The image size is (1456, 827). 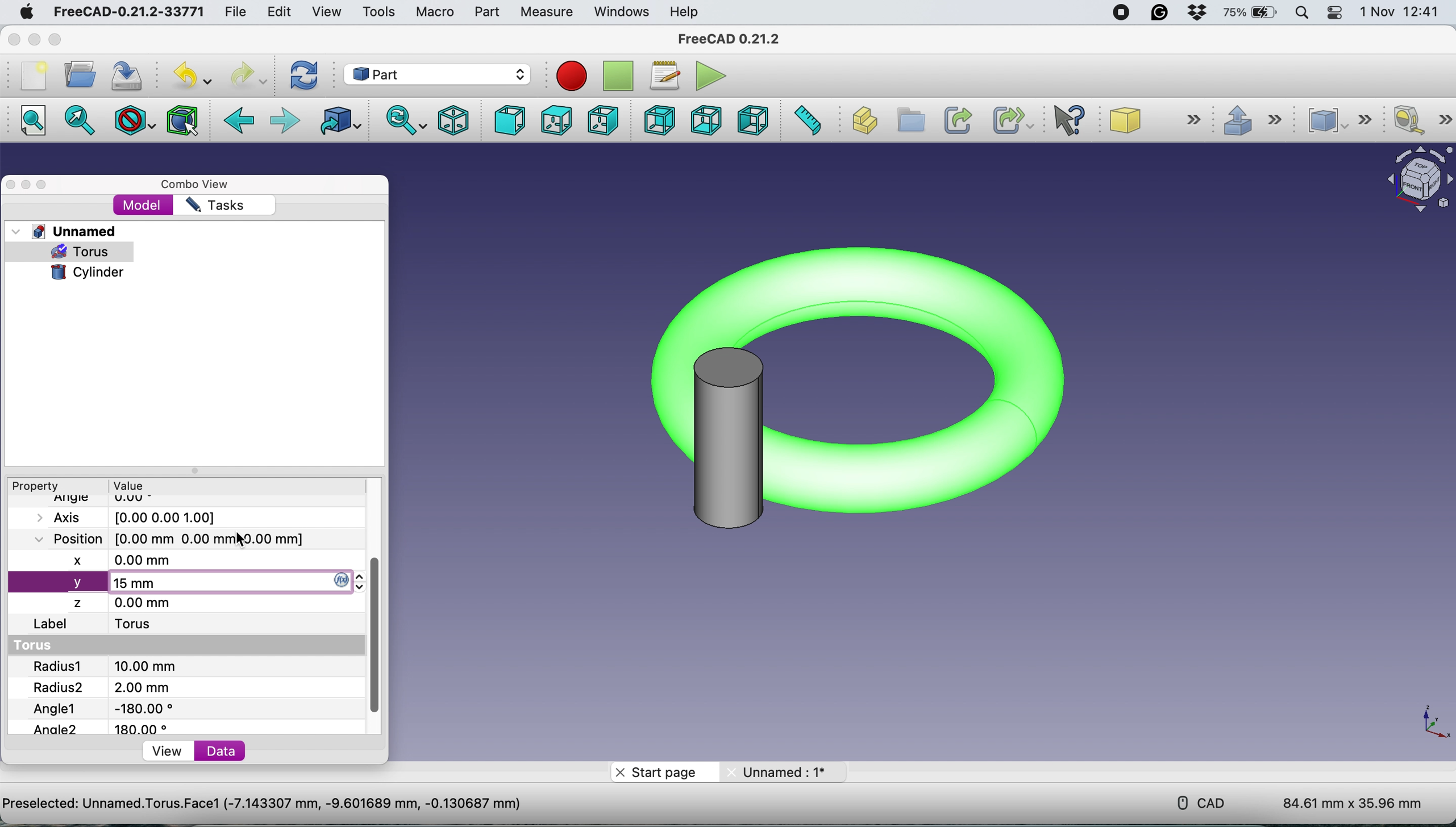 I want to click on create group, so click(x=909, y=121).